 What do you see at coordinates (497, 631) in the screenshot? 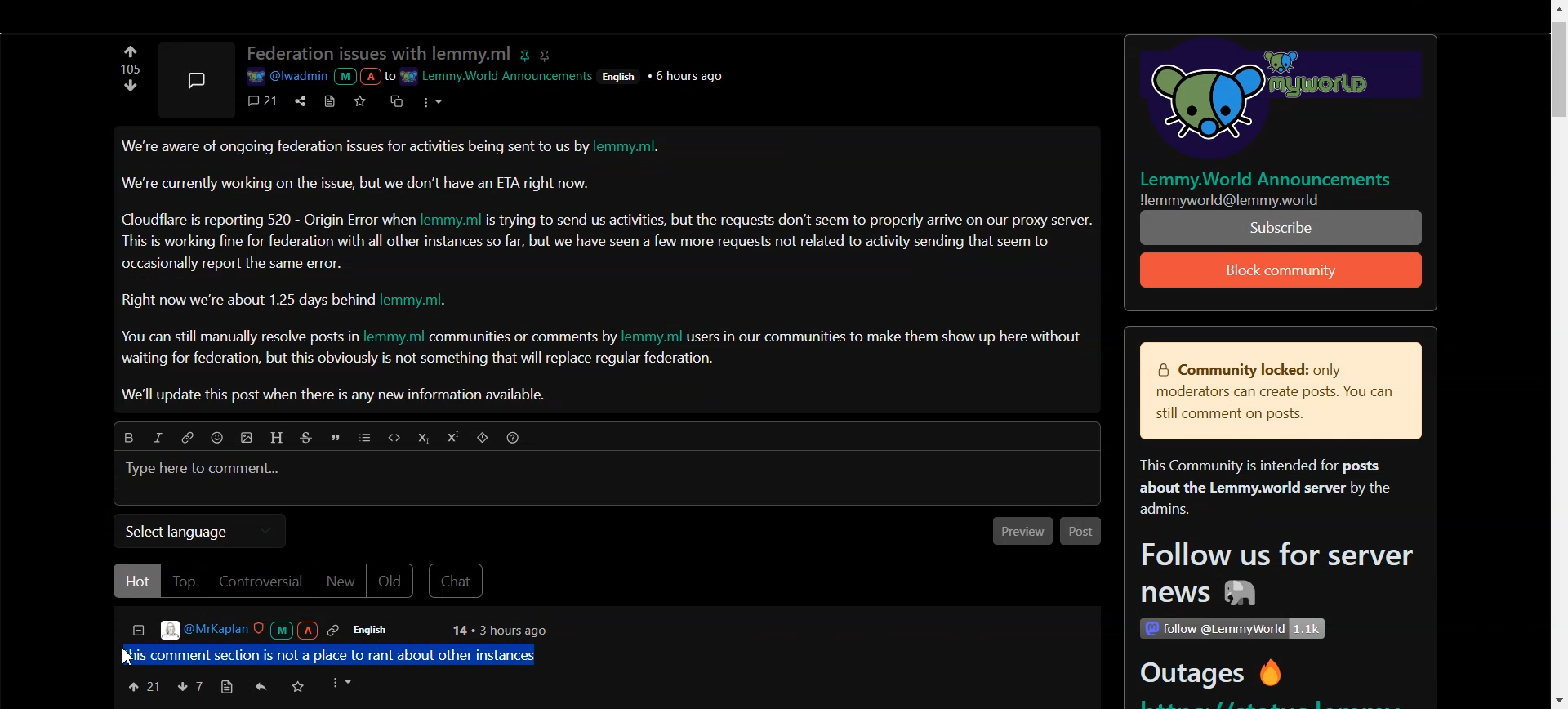
I see `14 + 3 hours ago` at bounding box center [497, 631].